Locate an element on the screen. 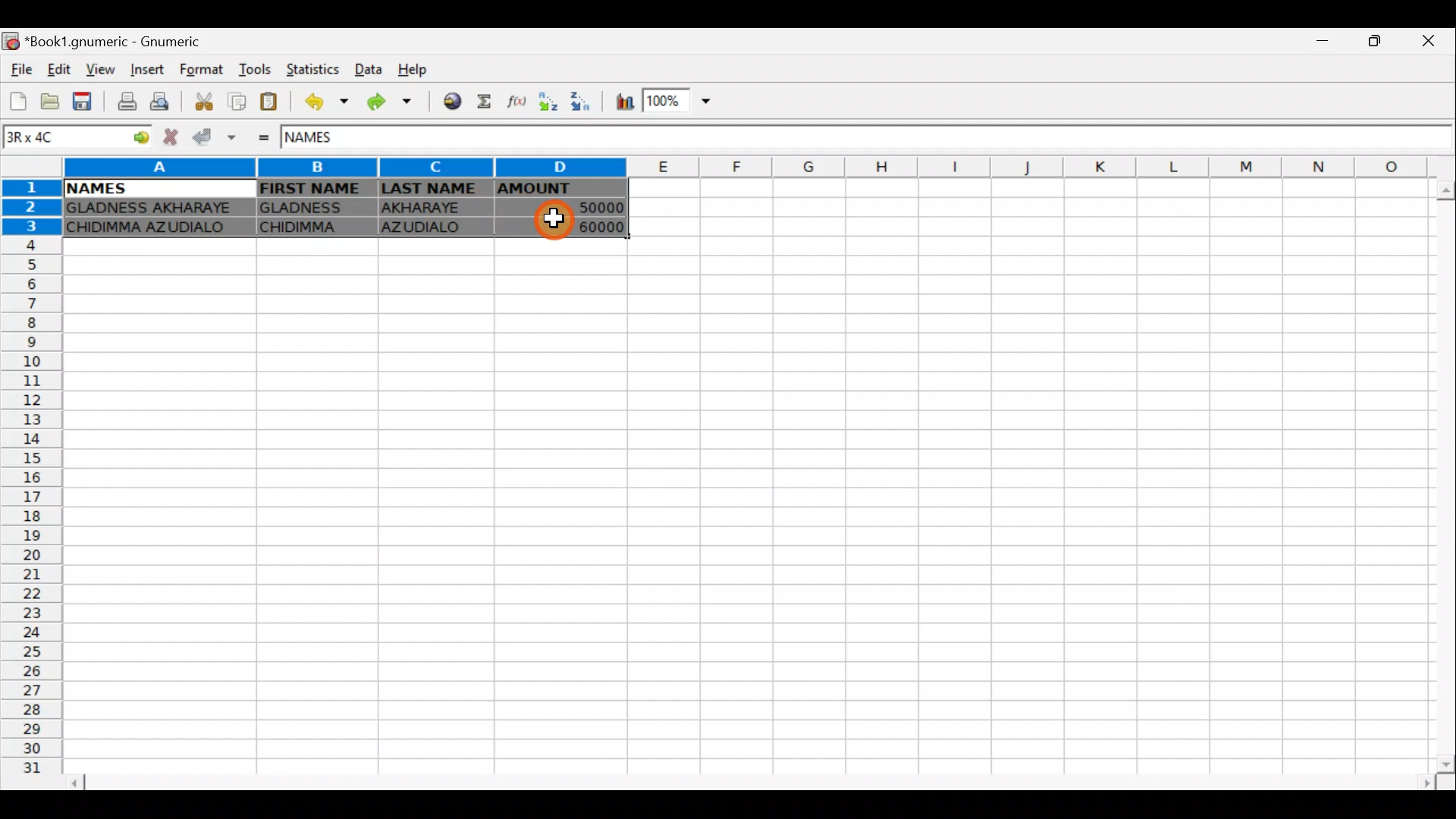  Close is located at coordinates (1434, 41).